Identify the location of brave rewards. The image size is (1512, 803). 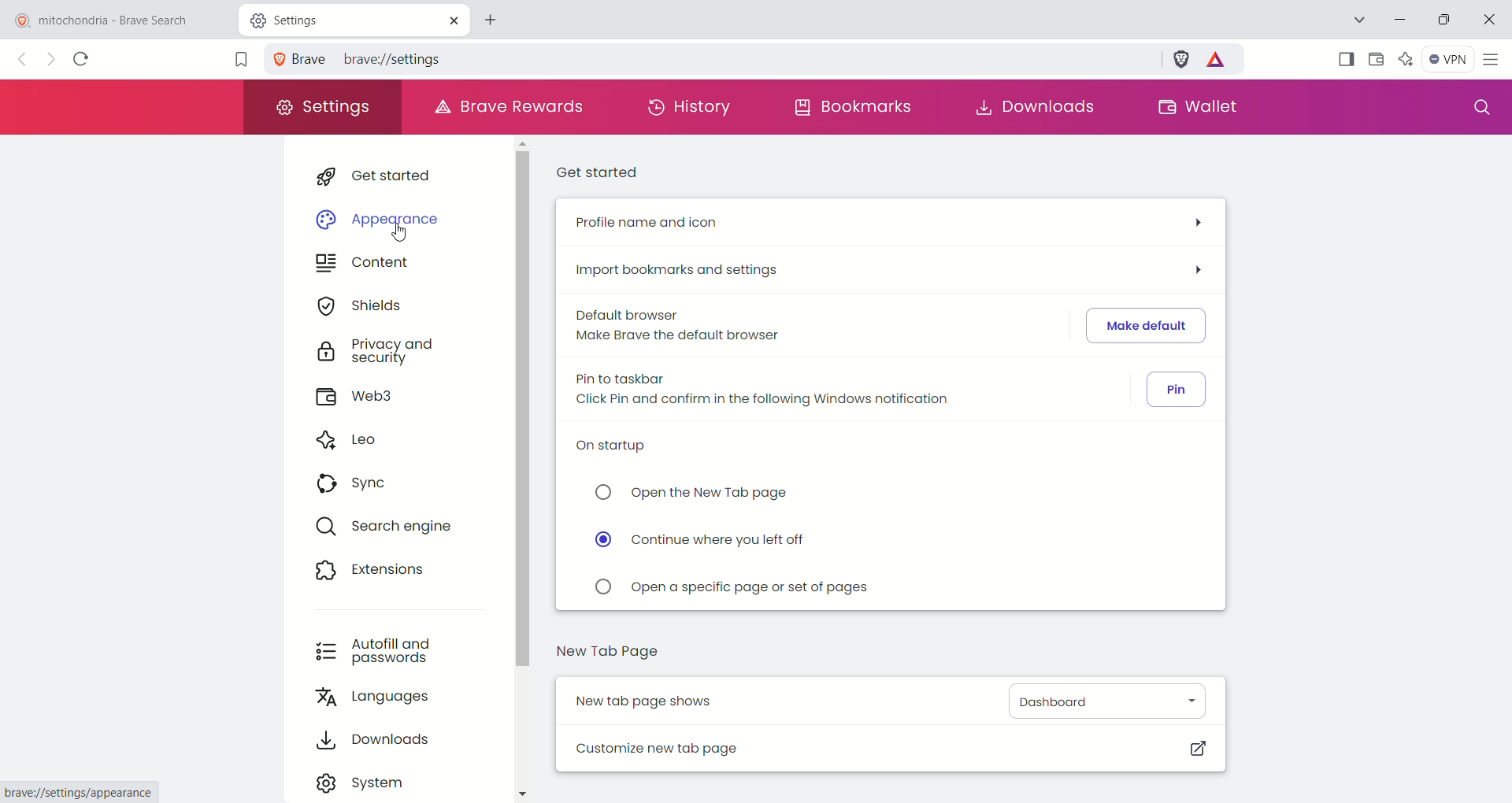
(1220, 62).